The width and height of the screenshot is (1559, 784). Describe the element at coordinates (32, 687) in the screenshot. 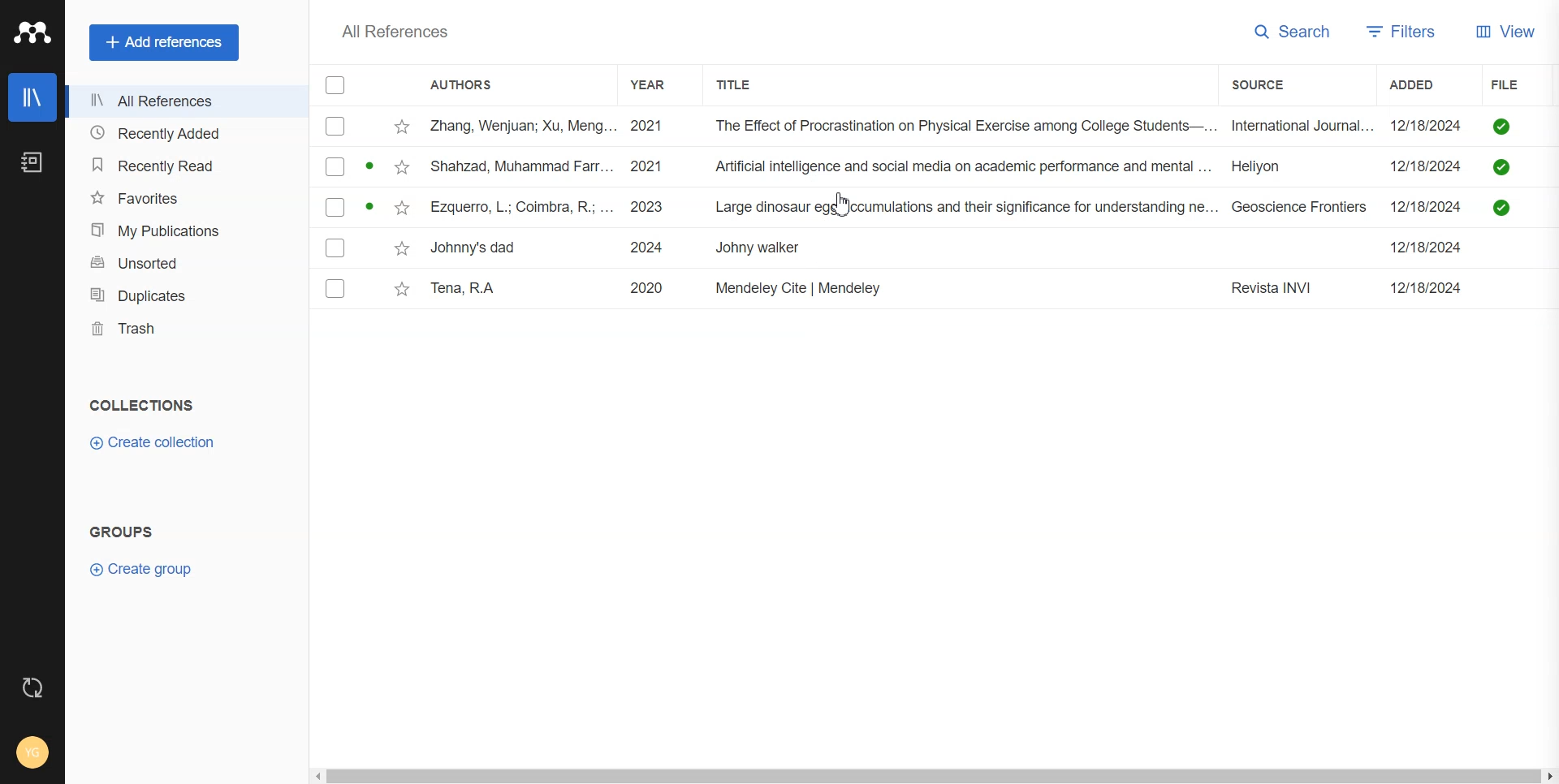

I see `Auto Sync` at that location.